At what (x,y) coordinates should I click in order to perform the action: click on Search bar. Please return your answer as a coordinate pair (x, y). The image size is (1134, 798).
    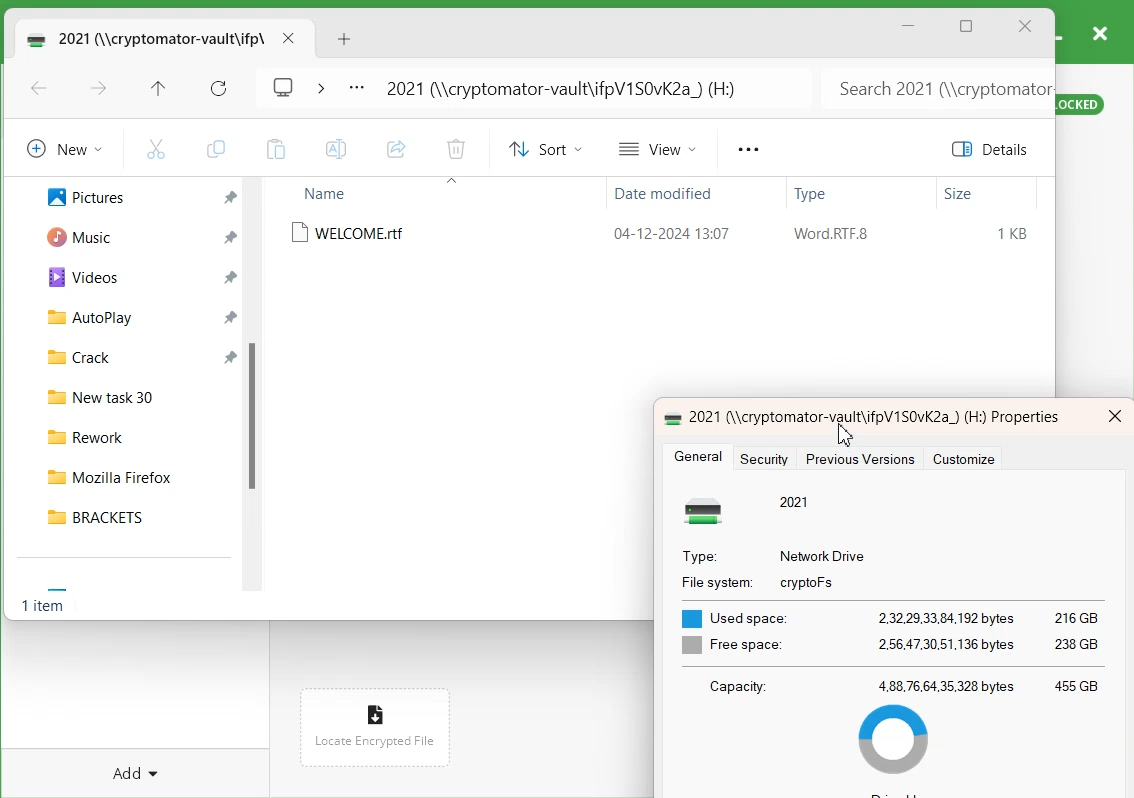
    Looking at the image, I should click on (935, 88).